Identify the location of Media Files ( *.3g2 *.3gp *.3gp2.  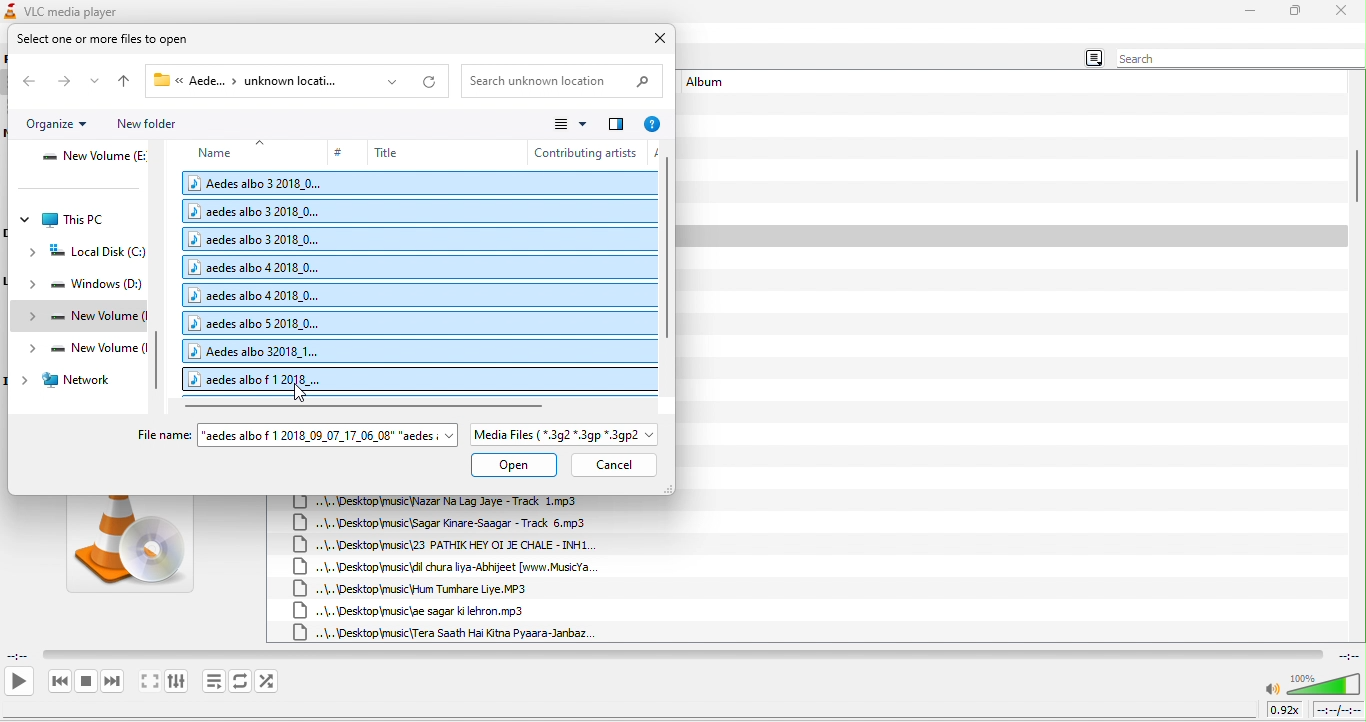
(565, 435).